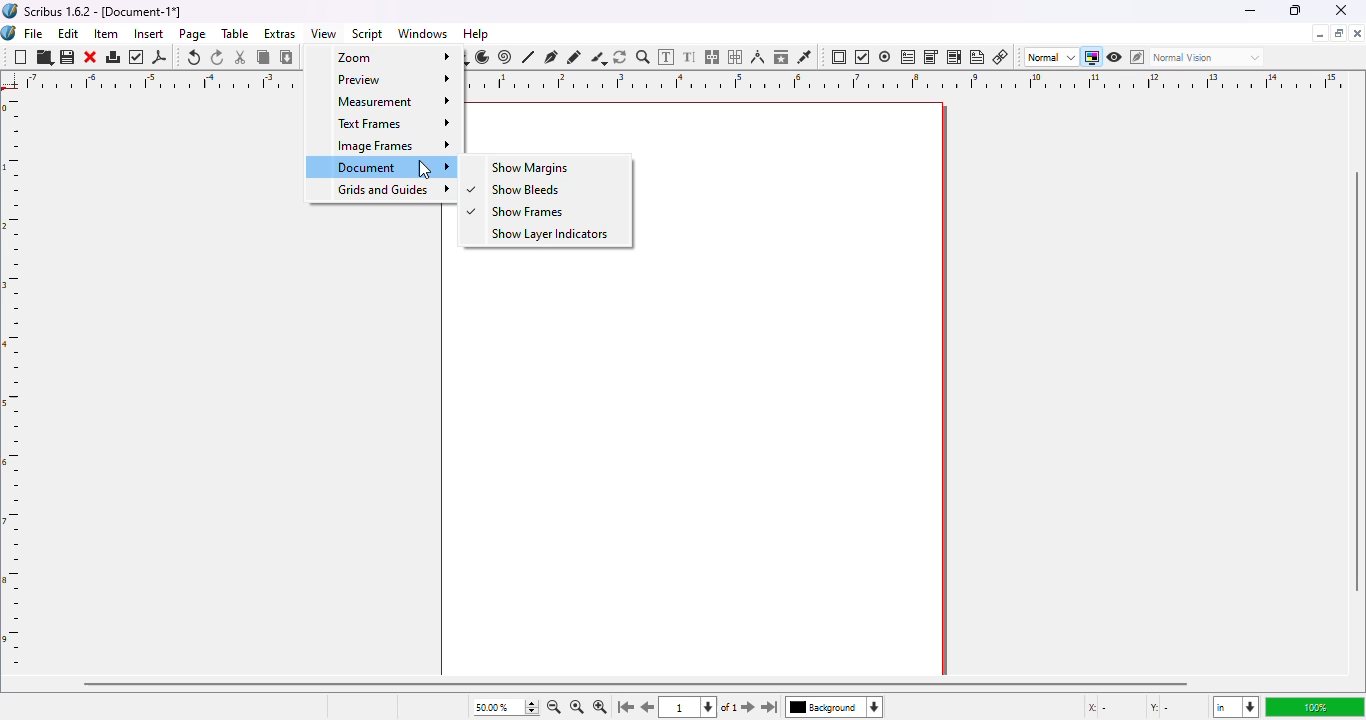 This screenshot has height=720, width=1366. What do you see at coordinates (20, 58) in the screenshot?
I see `new` at bounding box center [20, 58].